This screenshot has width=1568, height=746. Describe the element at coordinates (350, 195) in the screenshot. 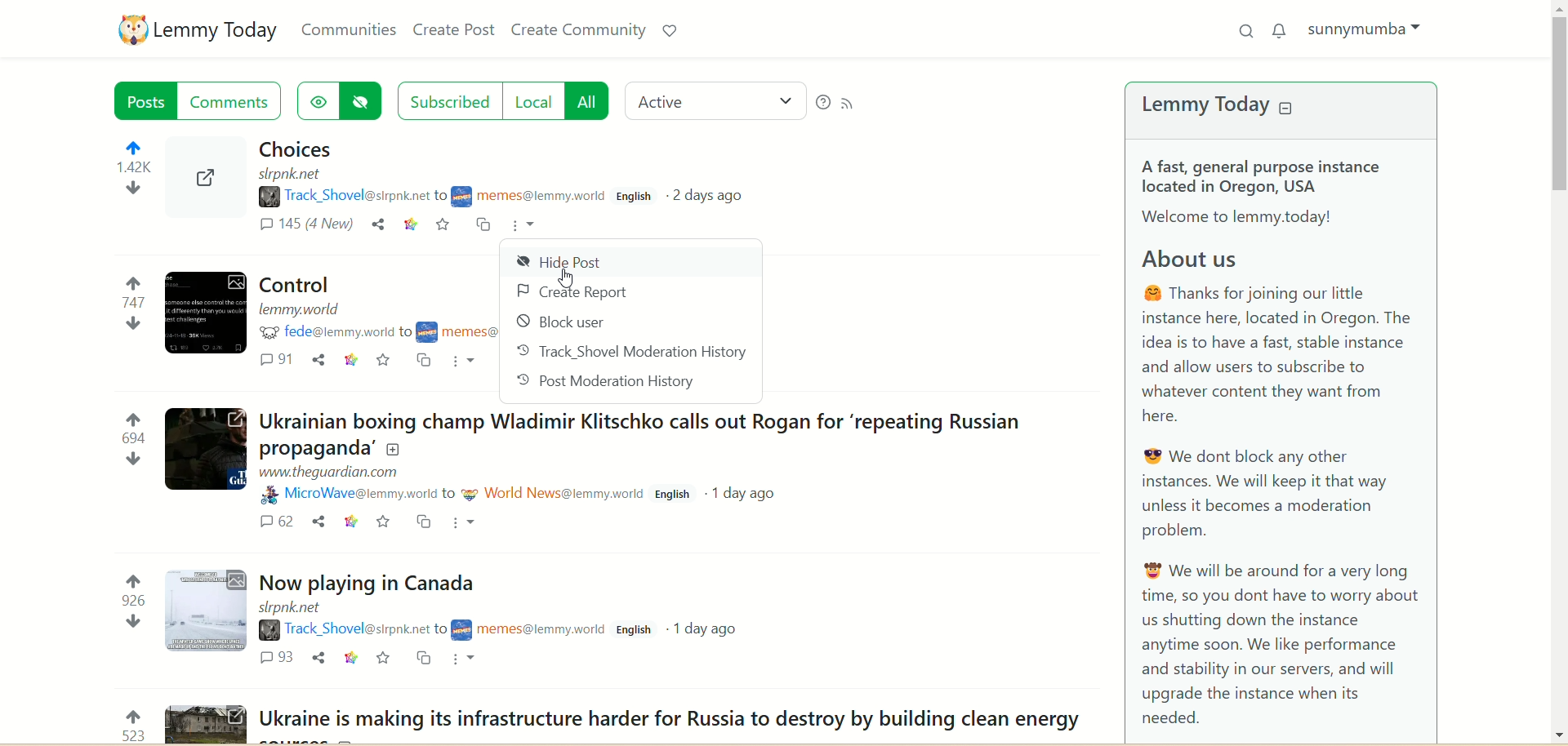

I see `username` at that location.